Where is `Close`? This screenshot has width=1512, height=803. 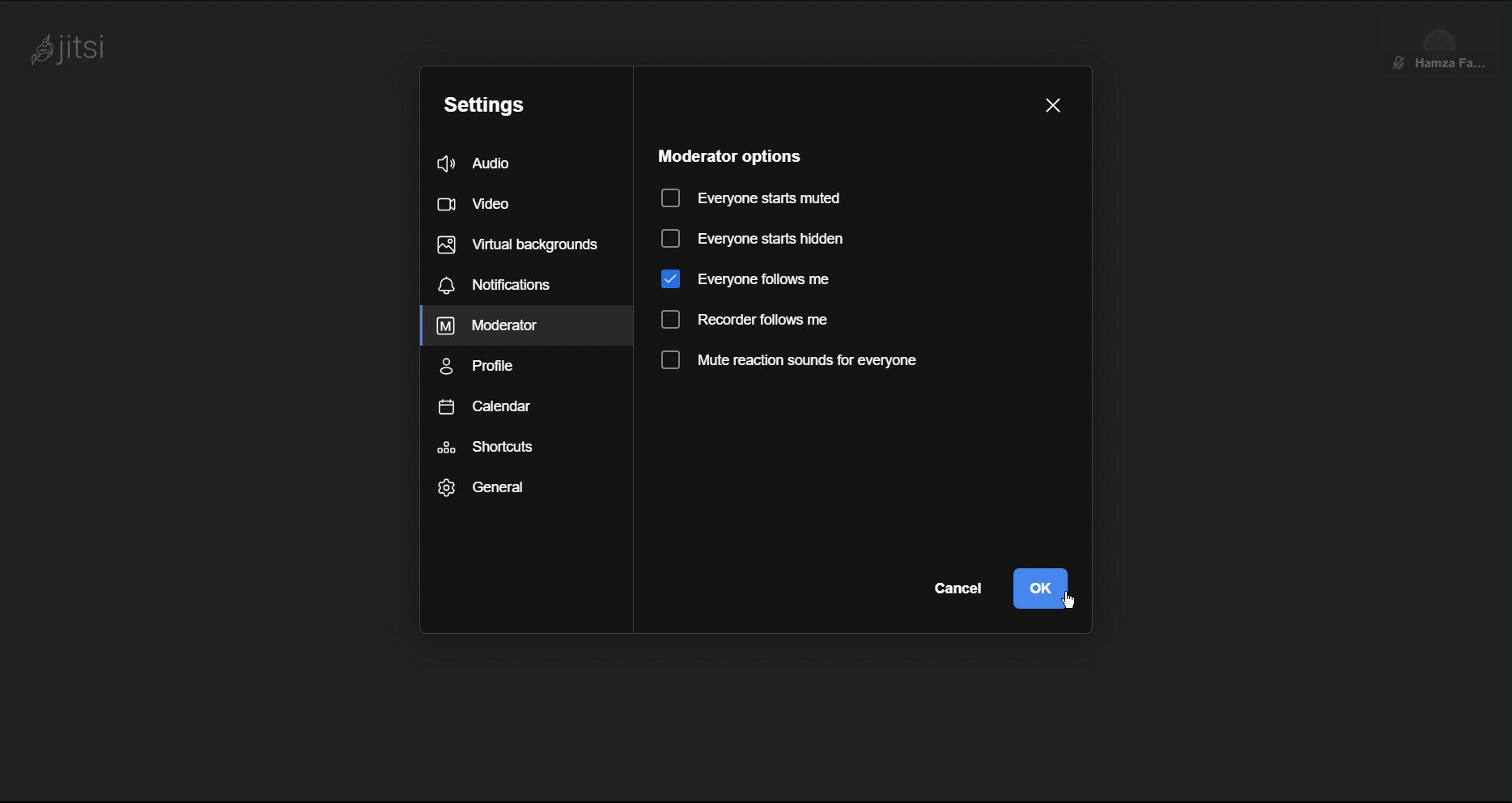
Close is located at coordinates (1054, 102).